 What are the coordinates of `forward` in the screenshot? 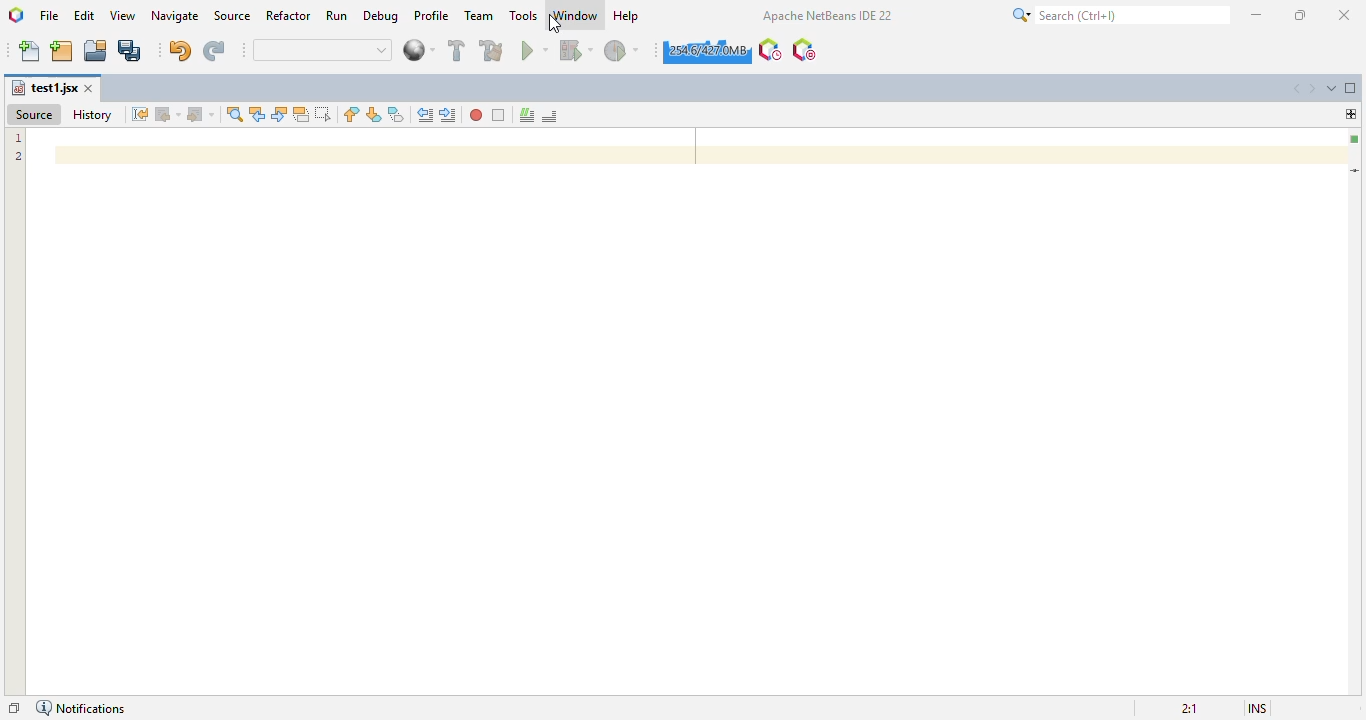 It's located at (201, 115).